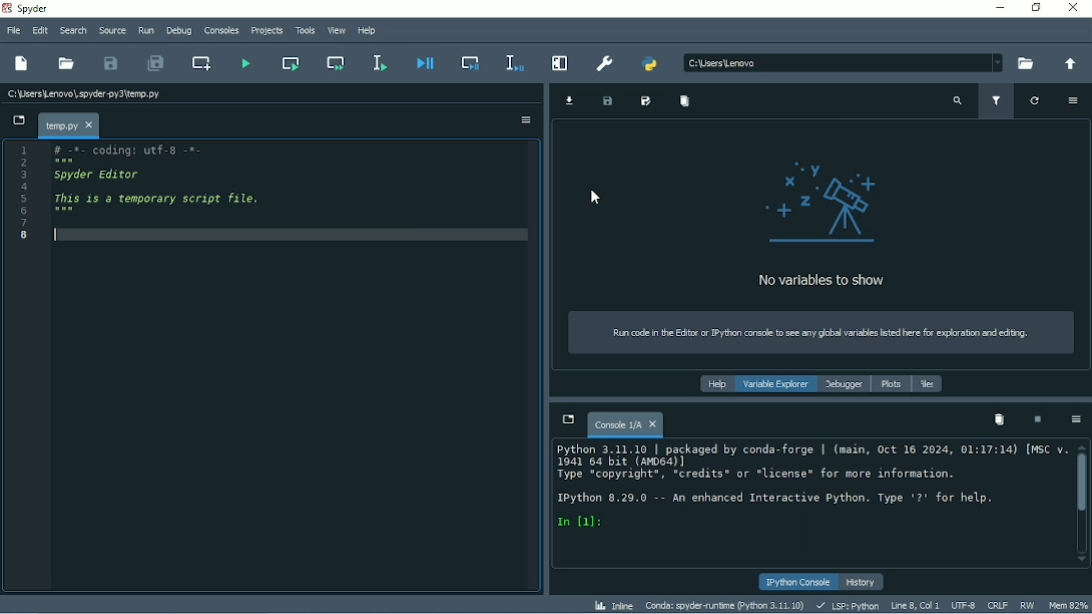 Image resolution: width=1092 pixels, height=614 pixels. I want to click on RW, so click(1026, 604).